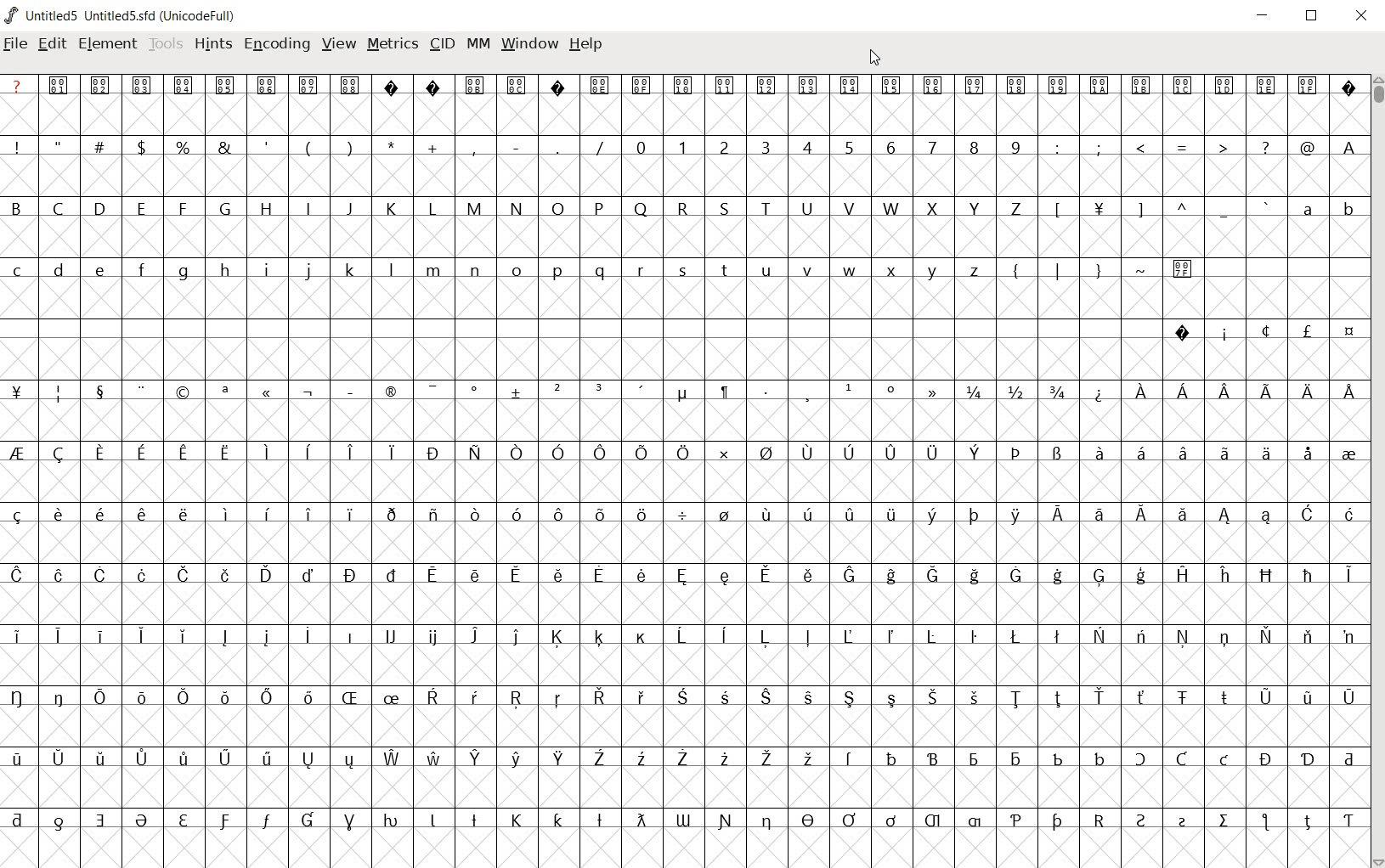 The height and width of the screenshot is (868, 1385). What do you see at coordinates (601, 699) in the screenshot?
I see `Symbol` at bounding box center [601, 699].